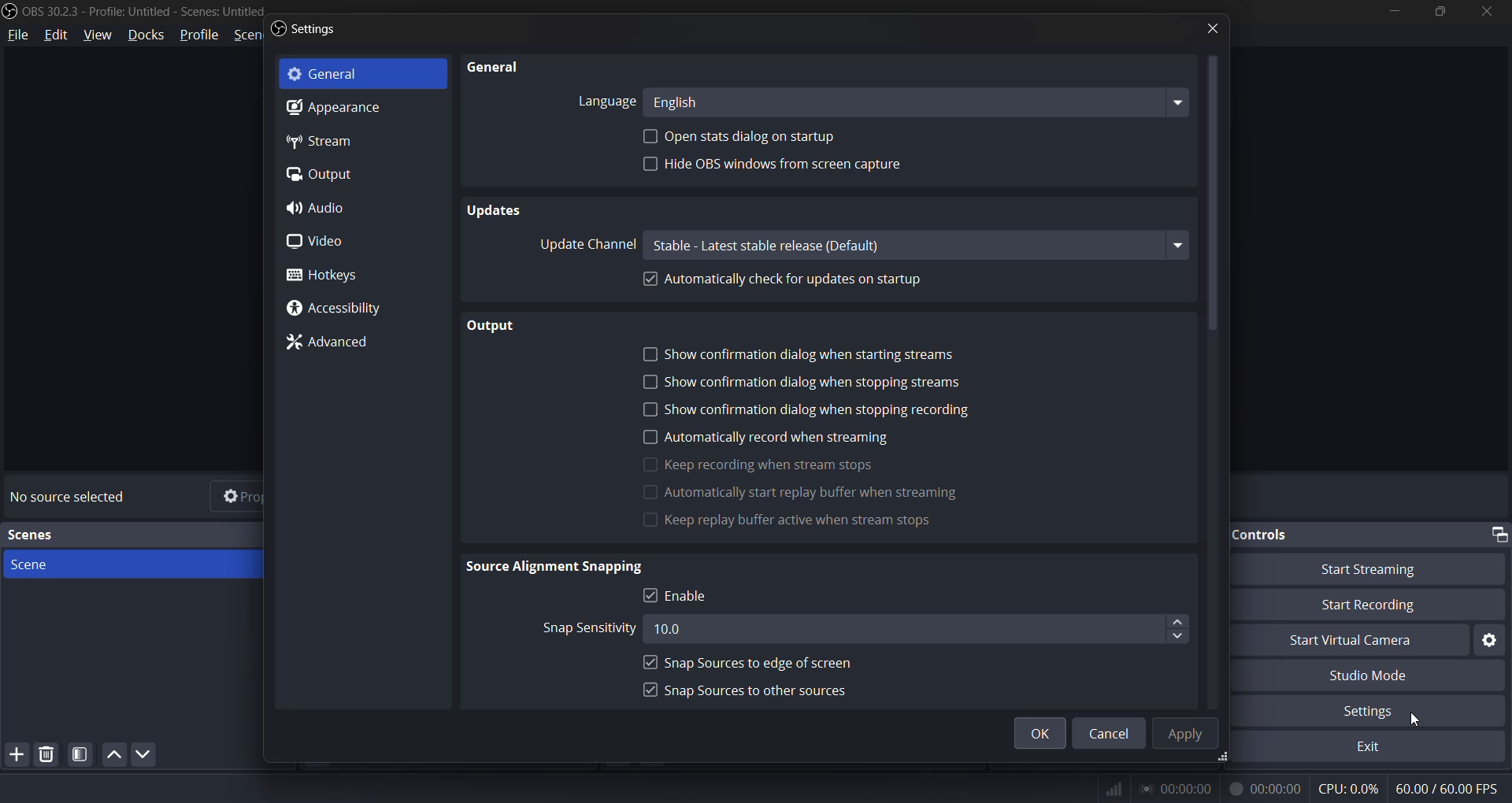 This screenshot has height=803, width=1512. Describe the element at coordinates (562, 569) in the screenshot. I see `source alignment snapping` at that location.